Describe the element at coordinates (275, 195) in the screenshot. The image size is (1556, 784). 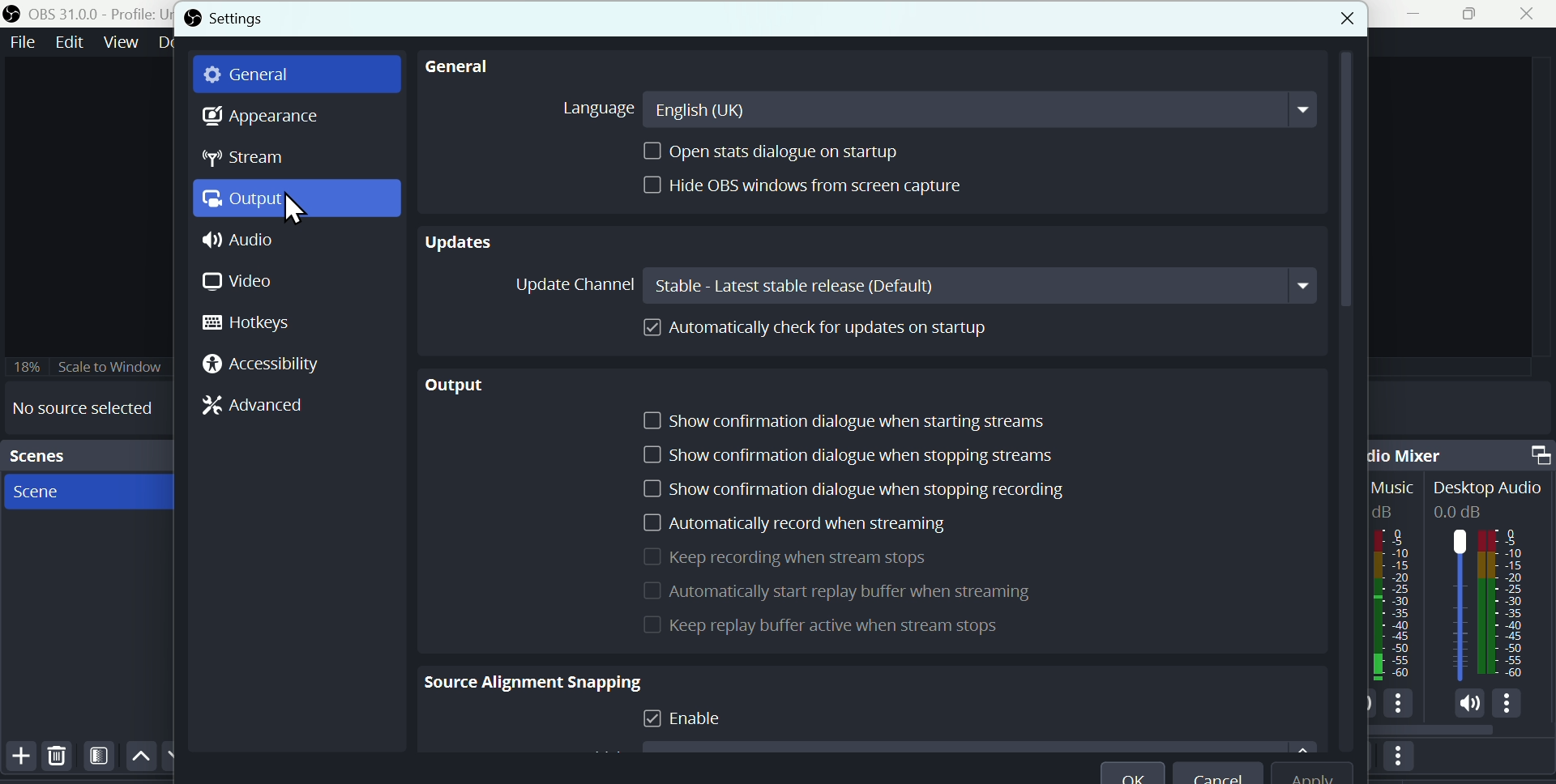
I see `Output` at that location.